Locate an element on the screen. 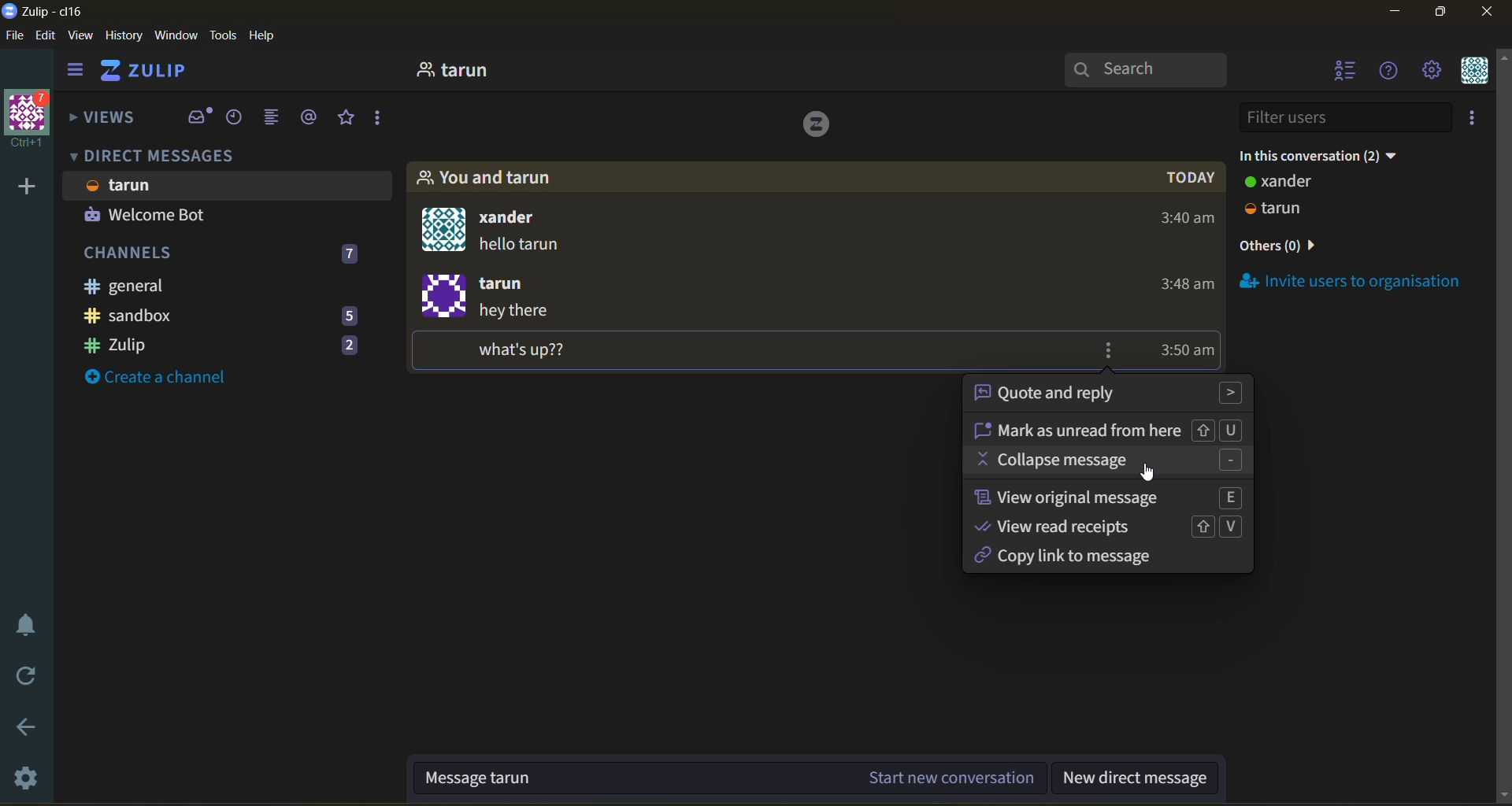 The image size is (1512, 806). in this conversation is located at coordinates (1327, 156).